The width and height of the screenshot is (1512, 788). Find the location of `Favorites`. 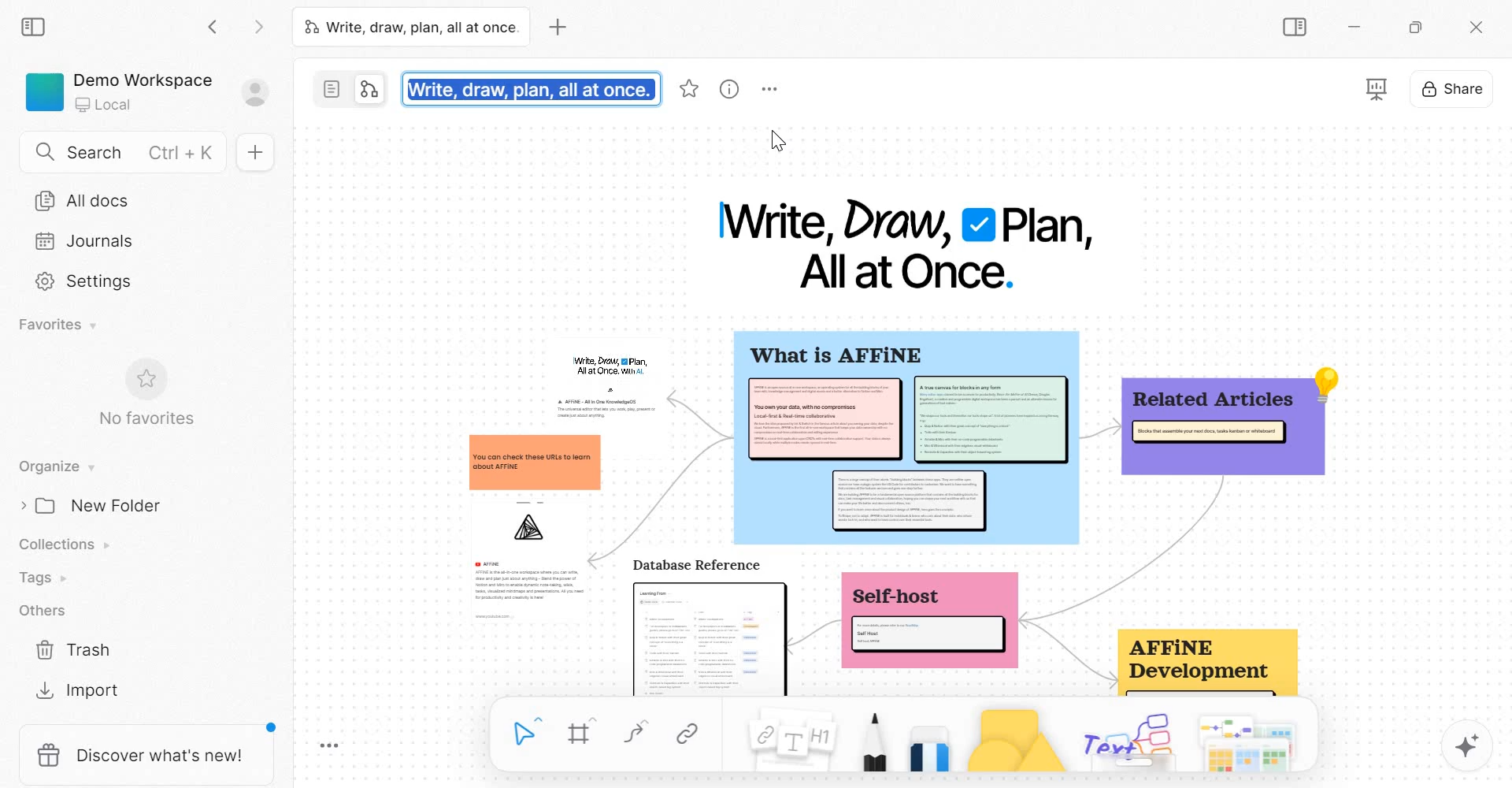

Favorites is located at coordinates (57, 325).